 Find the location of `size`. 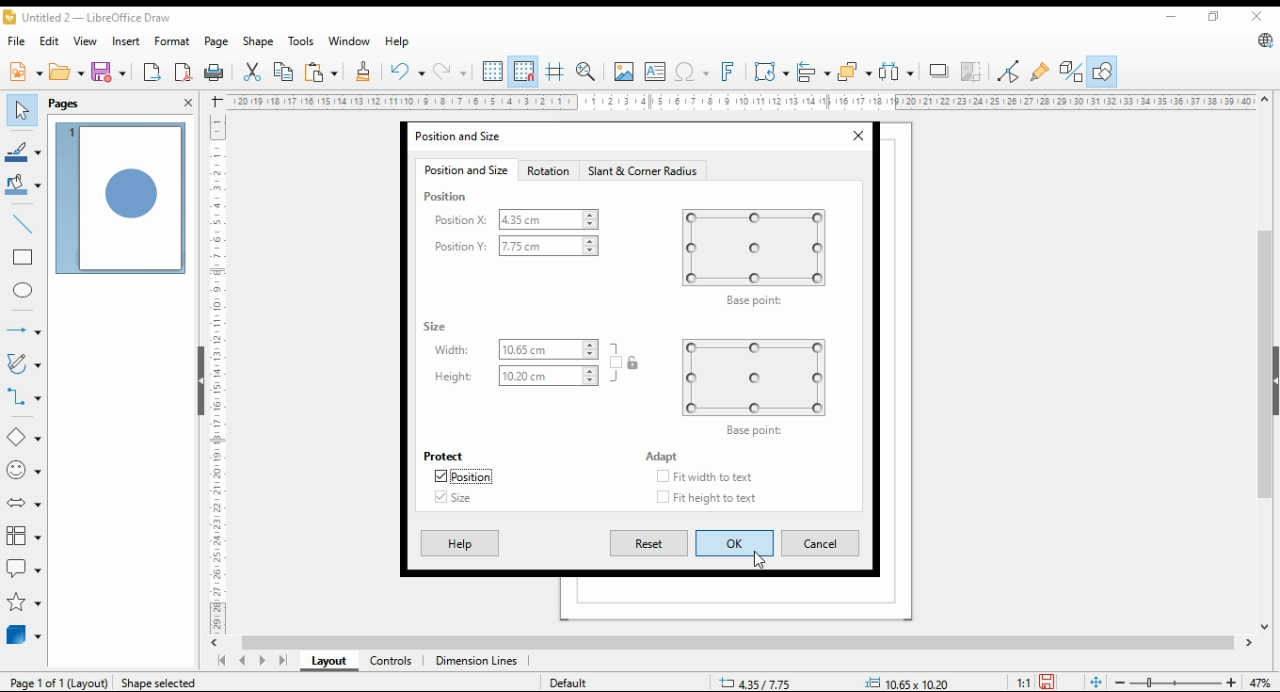

size is located at coordinates (460, 498).